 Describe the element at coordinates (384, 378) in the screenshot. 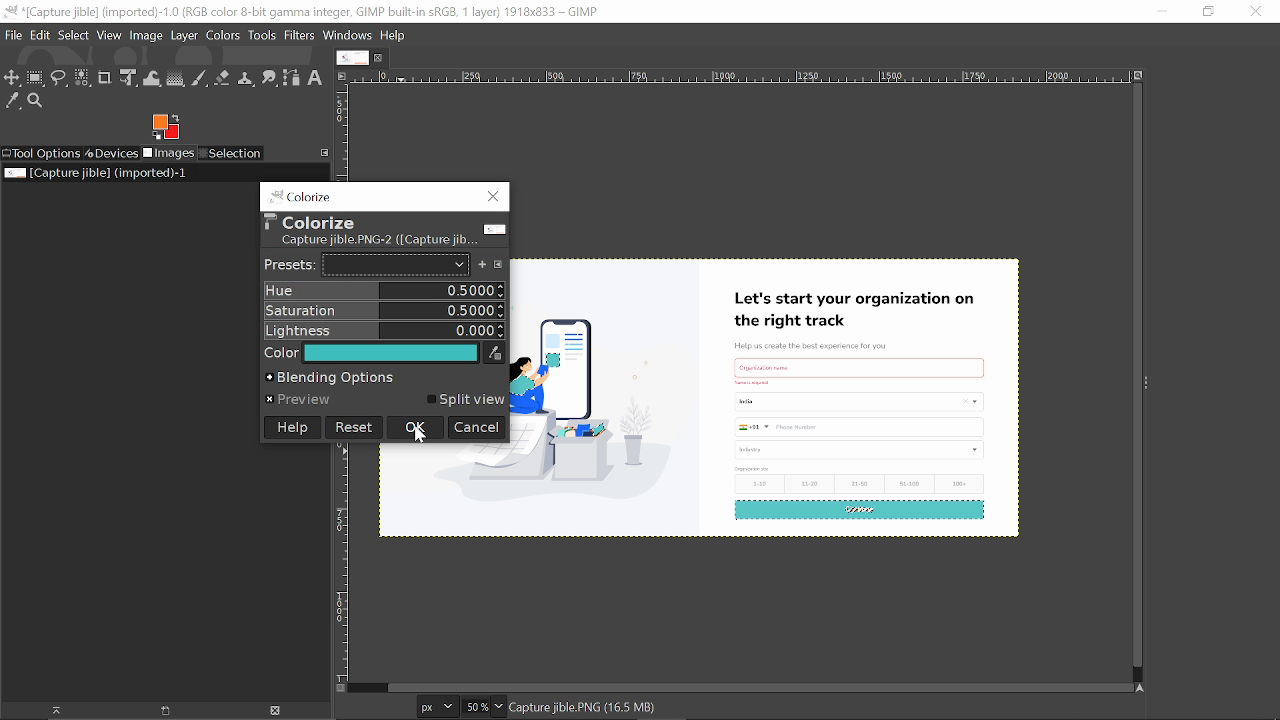

I see `blending options` at that location.